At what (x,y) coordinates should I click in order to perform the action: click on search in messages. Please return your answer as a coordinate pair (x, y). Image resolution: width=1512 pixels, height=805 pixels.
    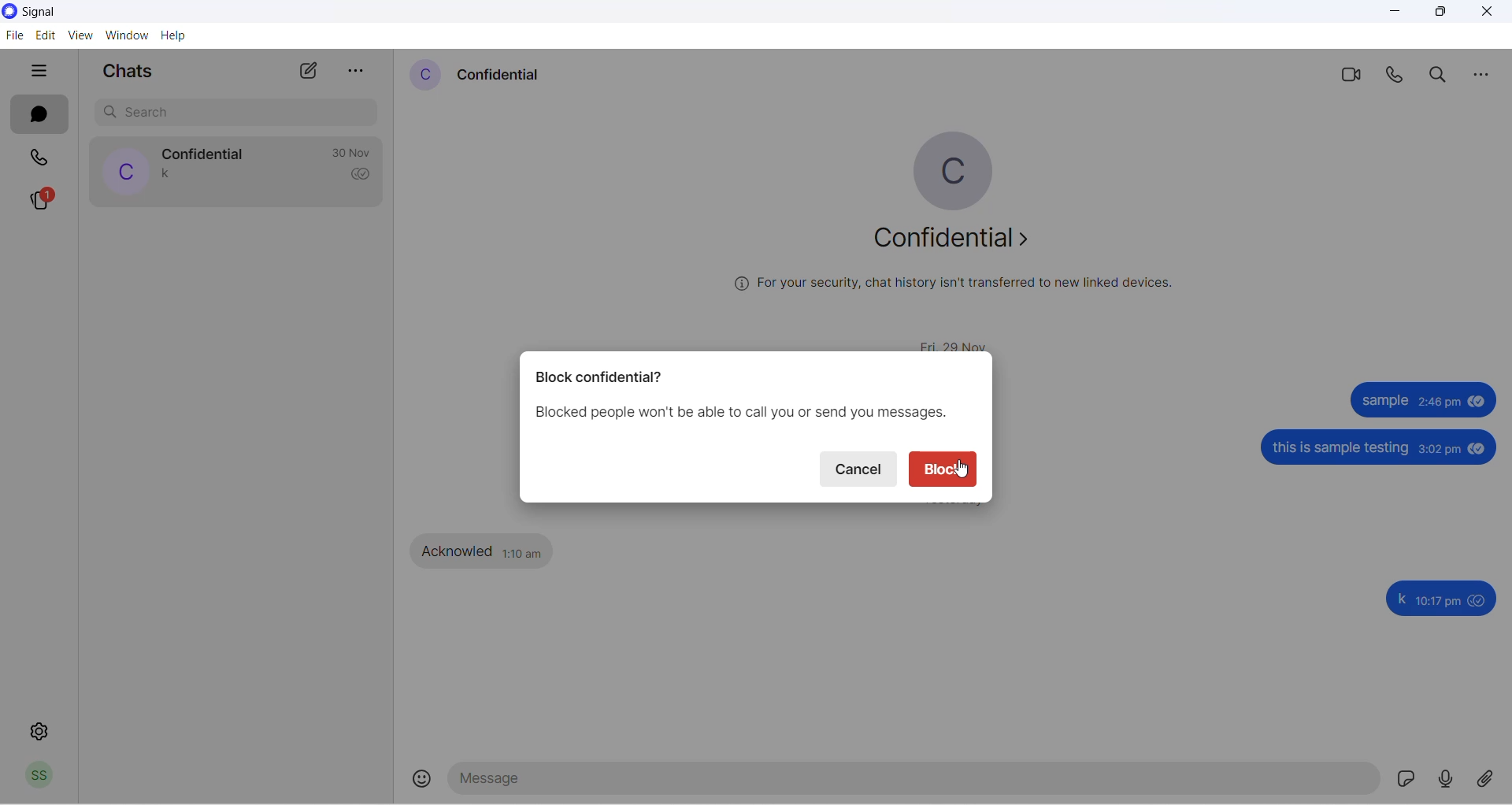
    Looking at the image, I should click on (1442, 75).